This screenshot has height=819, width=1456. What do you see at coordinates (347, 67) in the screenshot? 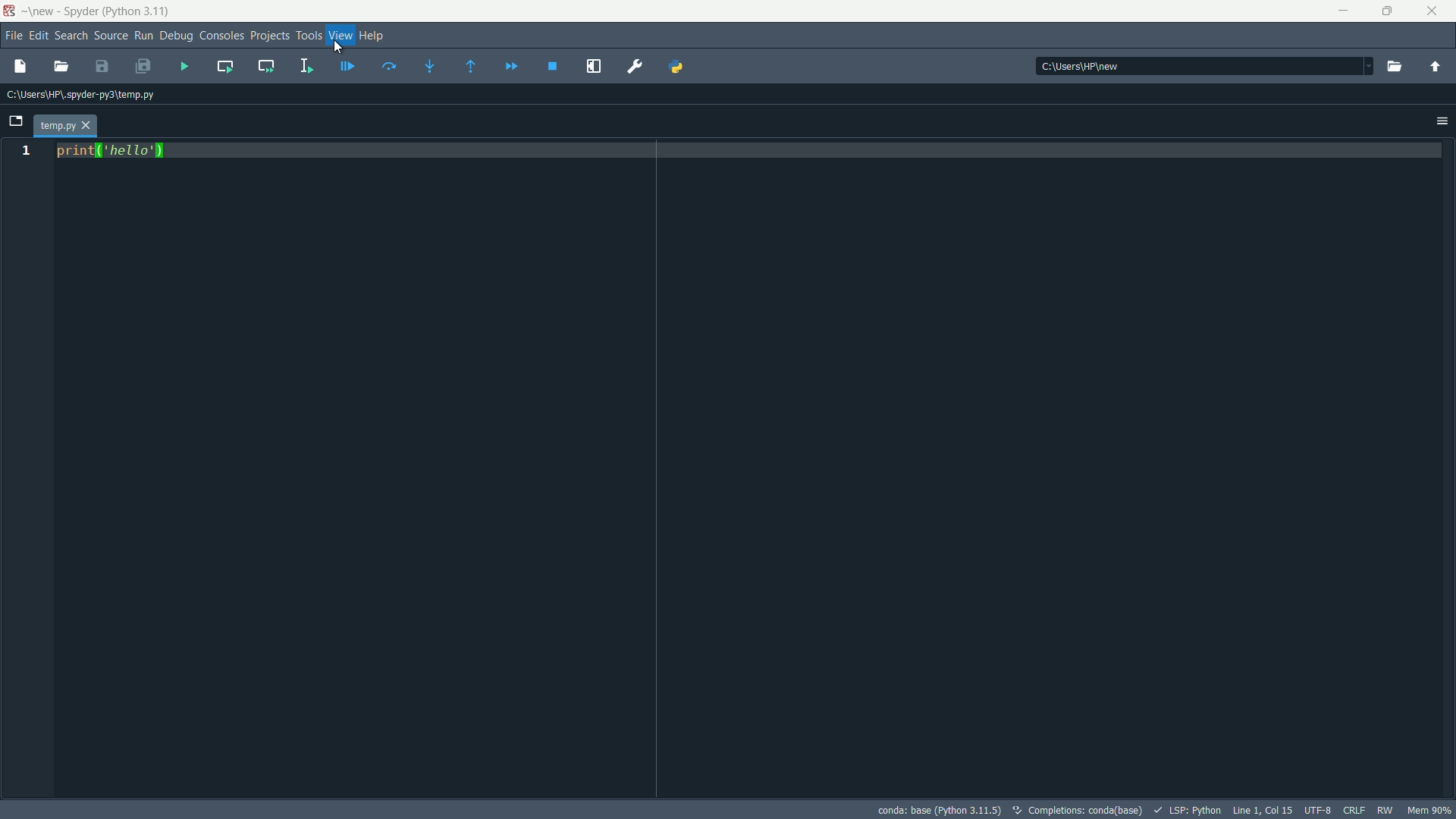
I see `debug file` at bounding box center [347, 67].